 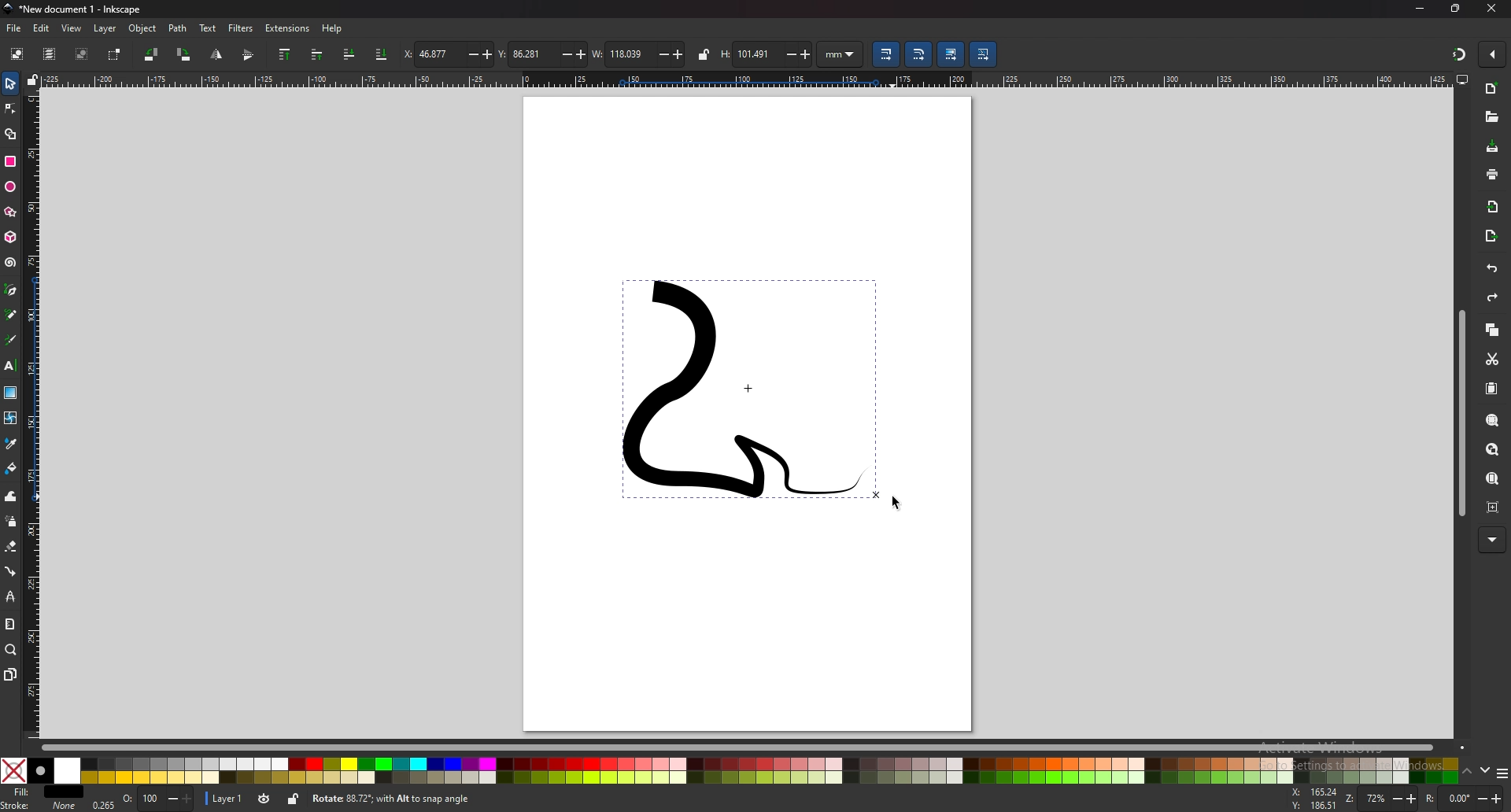 I want to click on cut, so click(x=1492, y=360).